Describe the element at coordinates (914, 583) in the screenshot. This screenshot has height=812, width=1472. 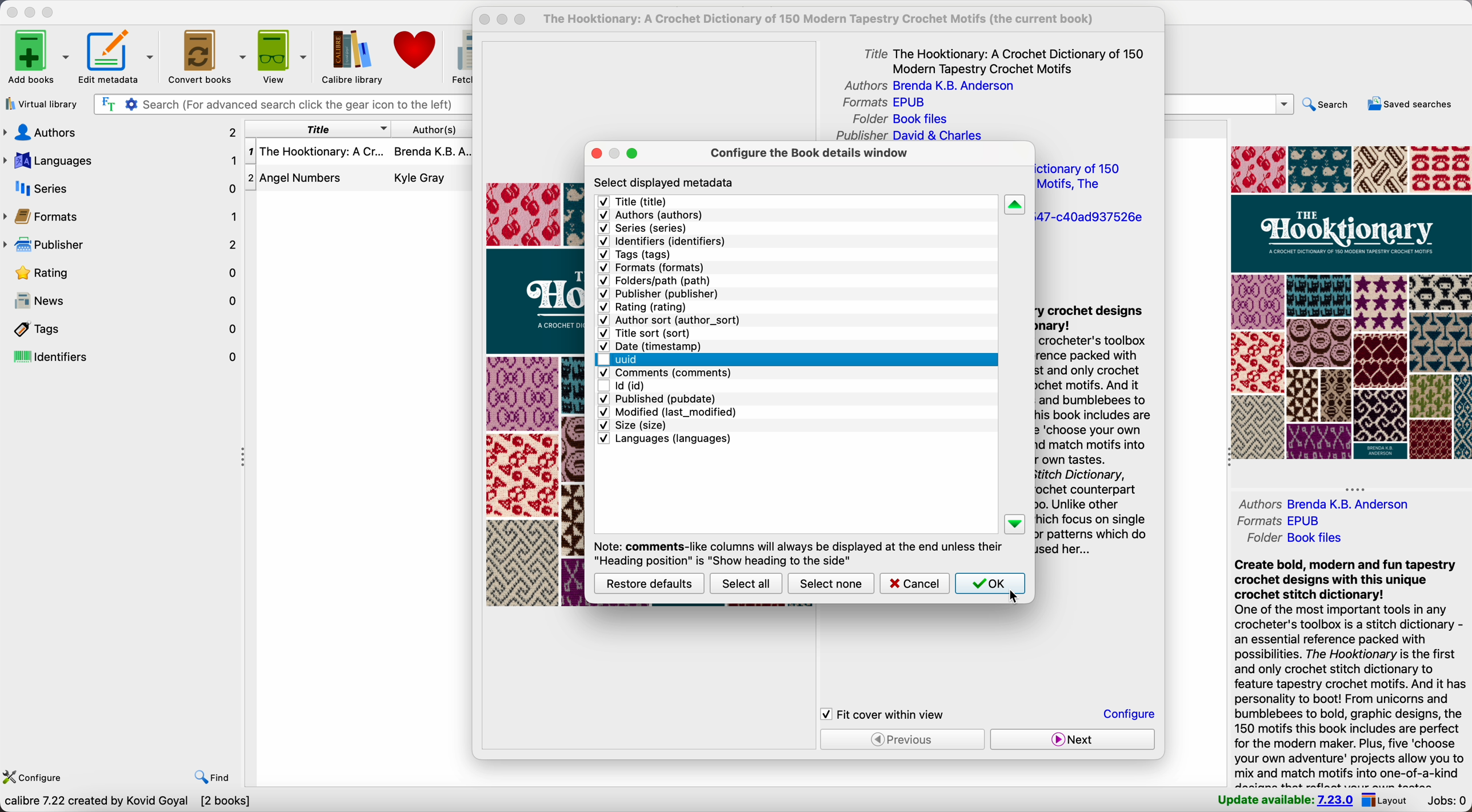
I see `cancel` at that location.